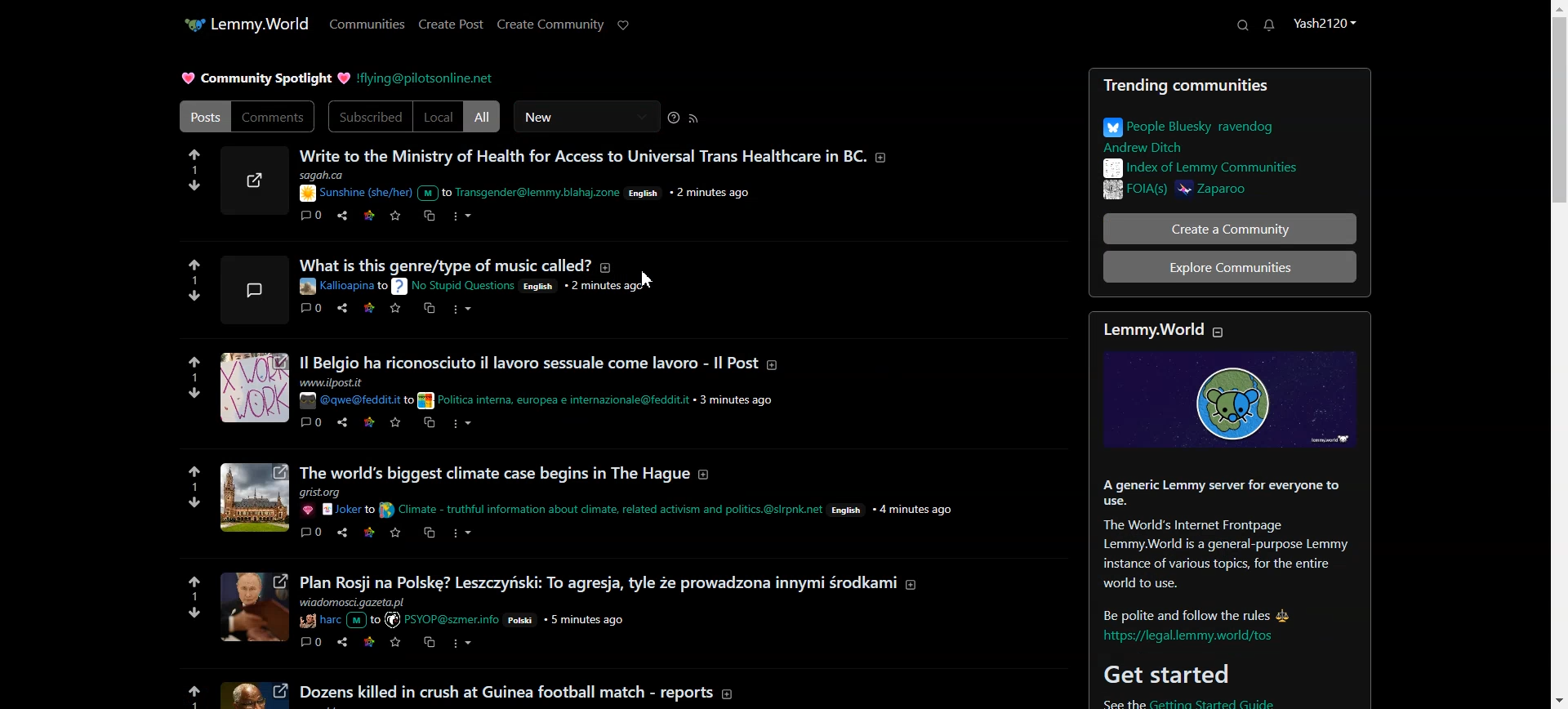 This screenshot has width=1568, height=709. What do you see at coordinates (341, 533) in the screenshot?
I see `share` at bounding box center [341, 533].